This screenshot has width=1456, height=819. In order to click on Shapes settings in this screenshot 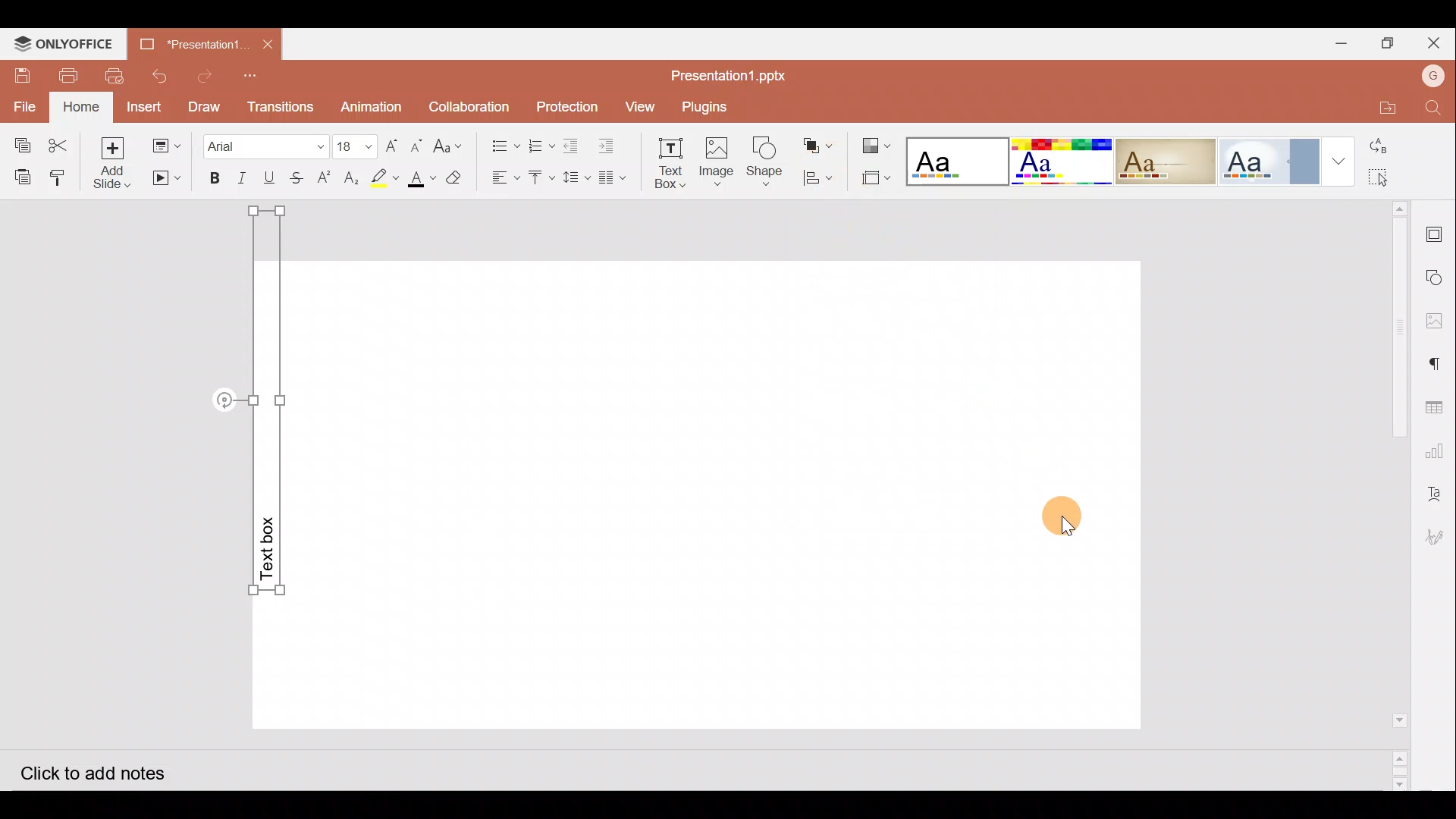, I will do `click(1438, 279)`.